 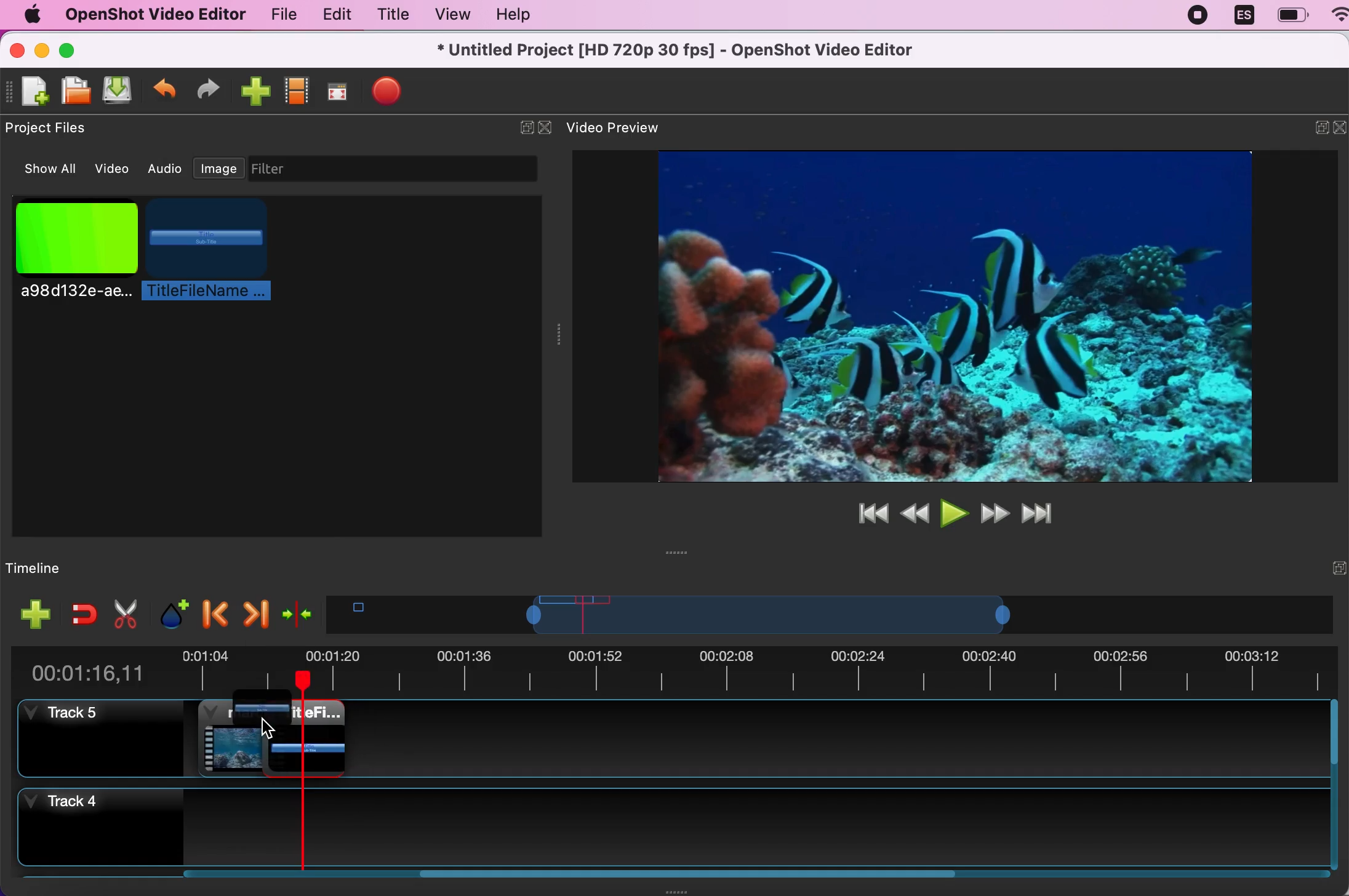 I want to click on image, so click(x=219, y=166).